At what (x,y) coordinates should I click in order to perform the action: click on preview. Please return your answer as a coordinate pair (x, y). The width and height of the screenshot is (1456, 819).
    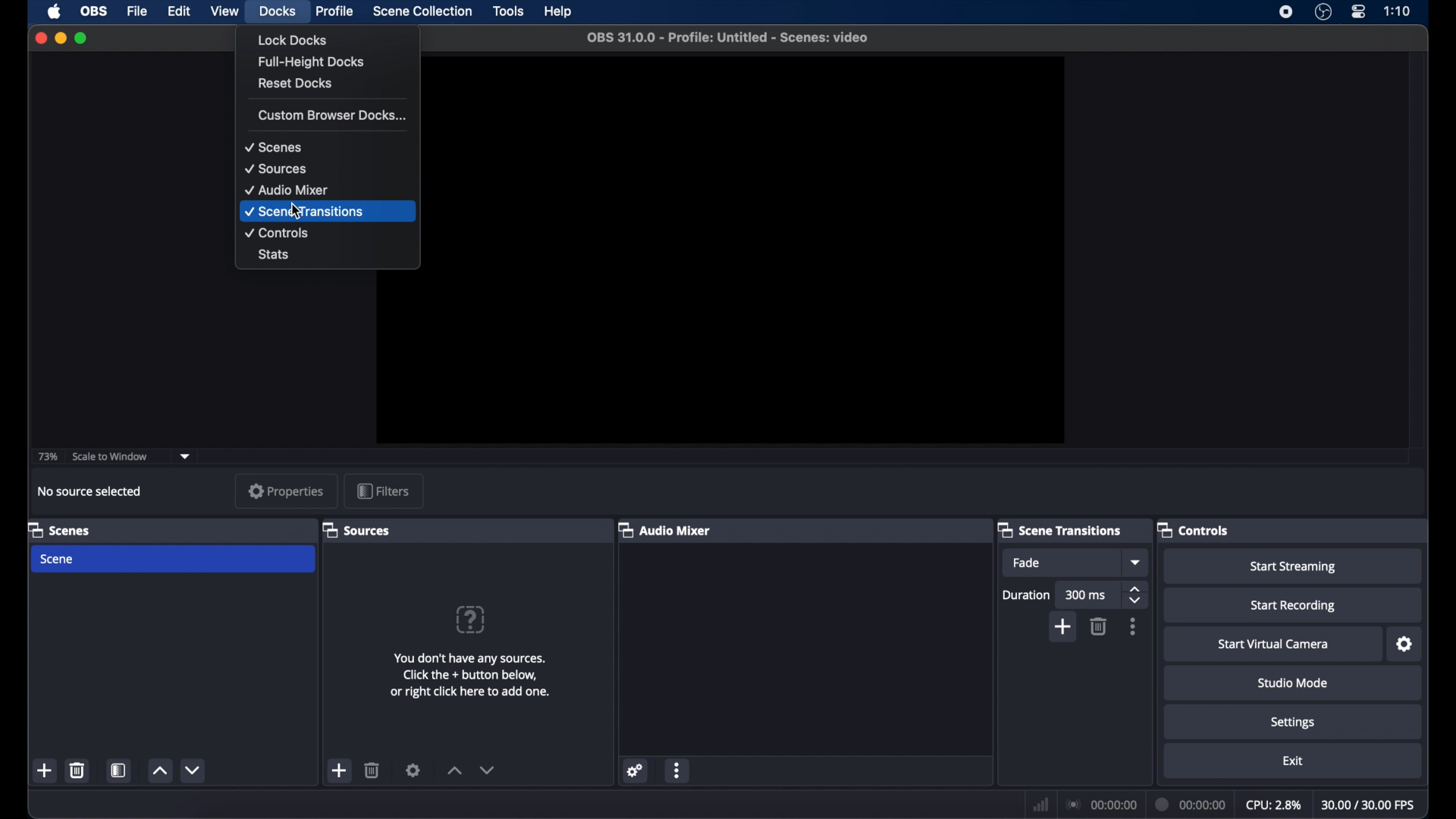
    Looking at the image, I should click on (759, 251).